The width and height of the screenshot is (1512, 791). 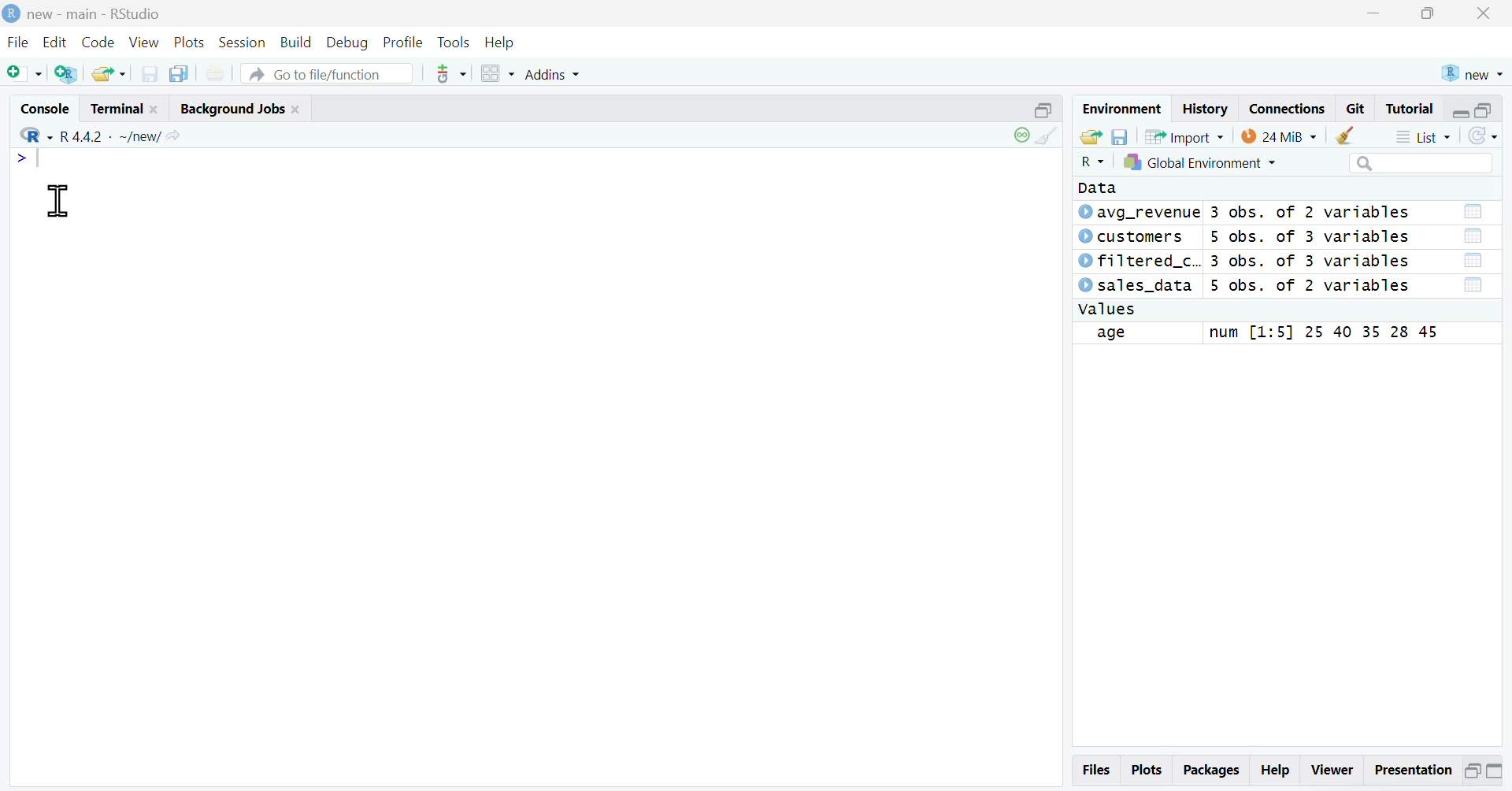 What do you see at coordinates (24, 73) in the screenshot?
I see `New File` at bounding box center [24, 73].